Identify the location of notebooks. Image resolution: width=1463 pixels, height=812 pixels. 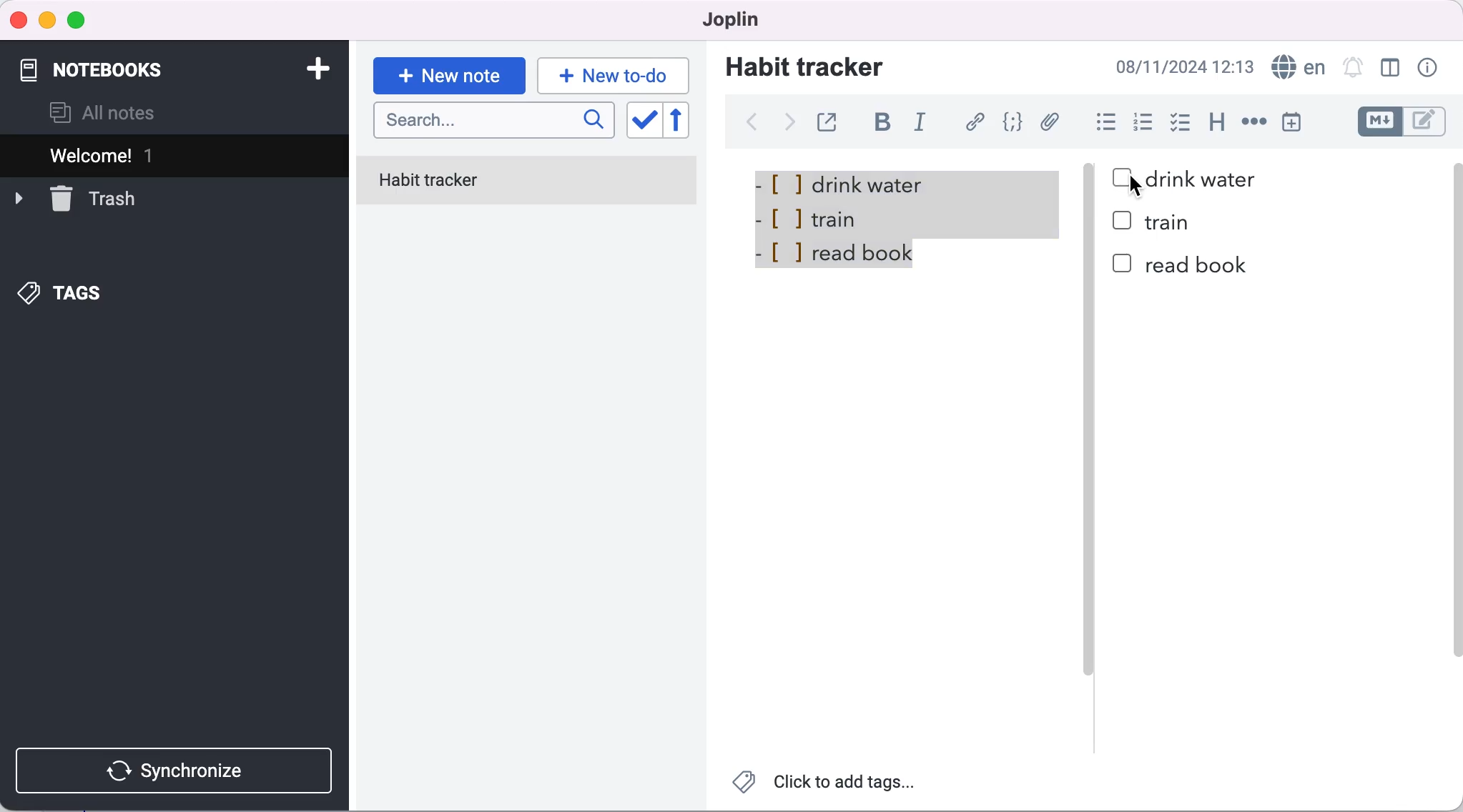
(114, 63).